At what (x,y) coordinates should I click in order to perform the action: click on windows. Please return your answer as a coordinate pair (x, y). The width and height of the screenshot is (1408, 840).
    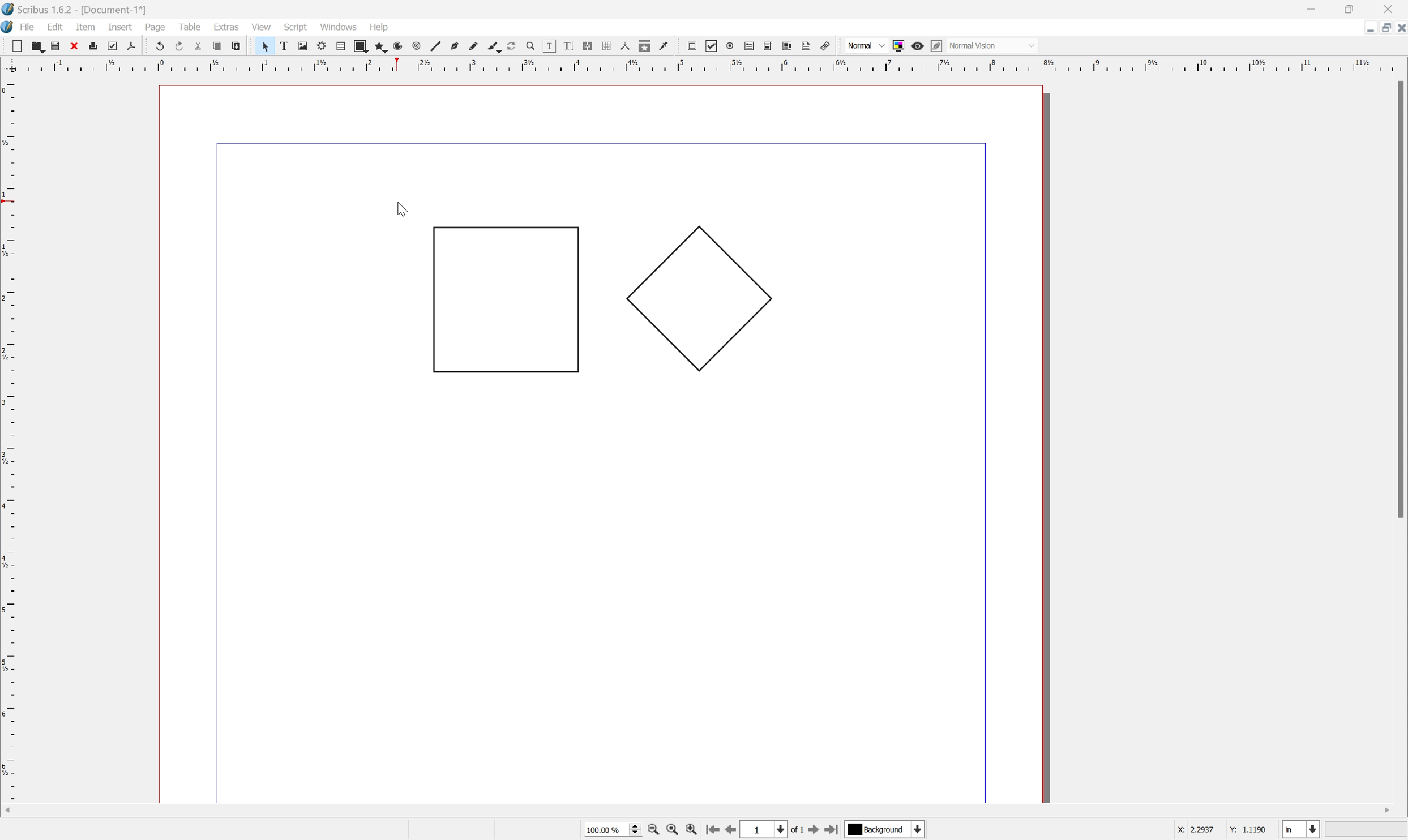
    Looking at the image, I should click on (341, 27).